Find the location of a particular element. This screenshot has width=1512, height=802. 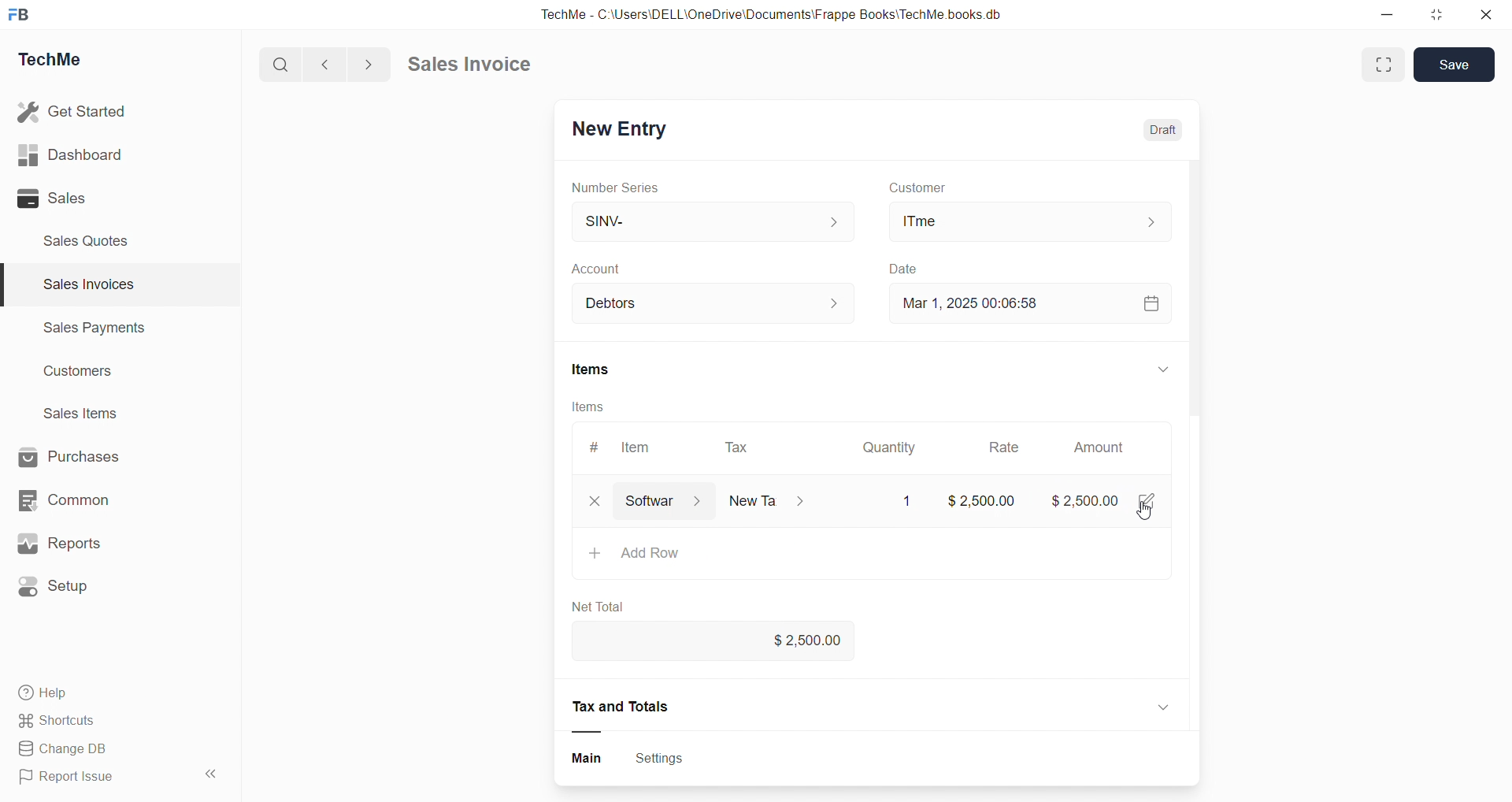

References is located at coordinates (627, 707).